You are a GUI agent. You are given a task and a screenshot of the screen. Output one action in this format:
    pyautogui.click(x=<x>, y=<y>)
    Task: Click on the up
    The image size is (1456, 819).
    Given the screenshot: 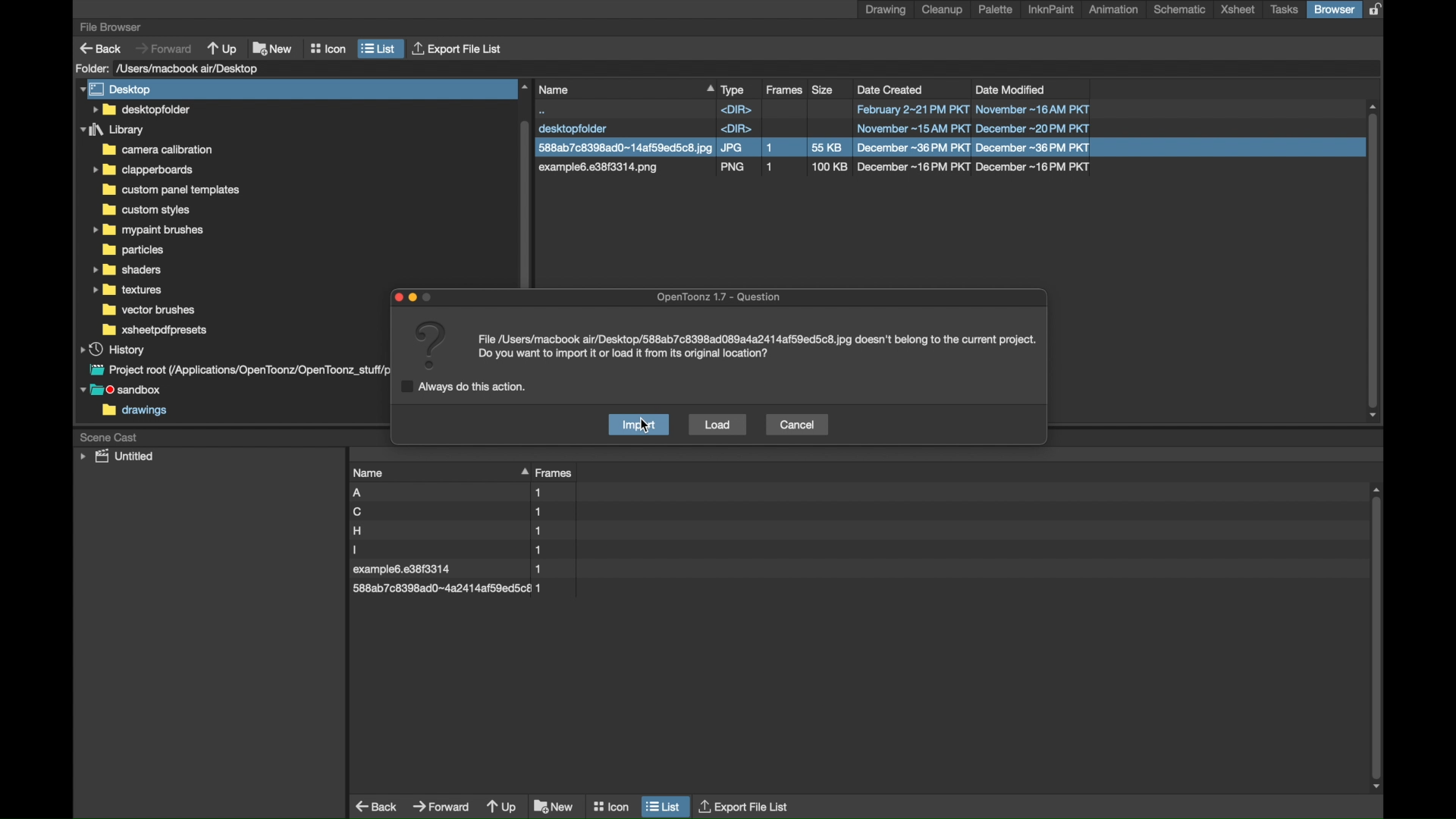 What is the action you would take?
    pyautogui.click(x=502, y=808)
    